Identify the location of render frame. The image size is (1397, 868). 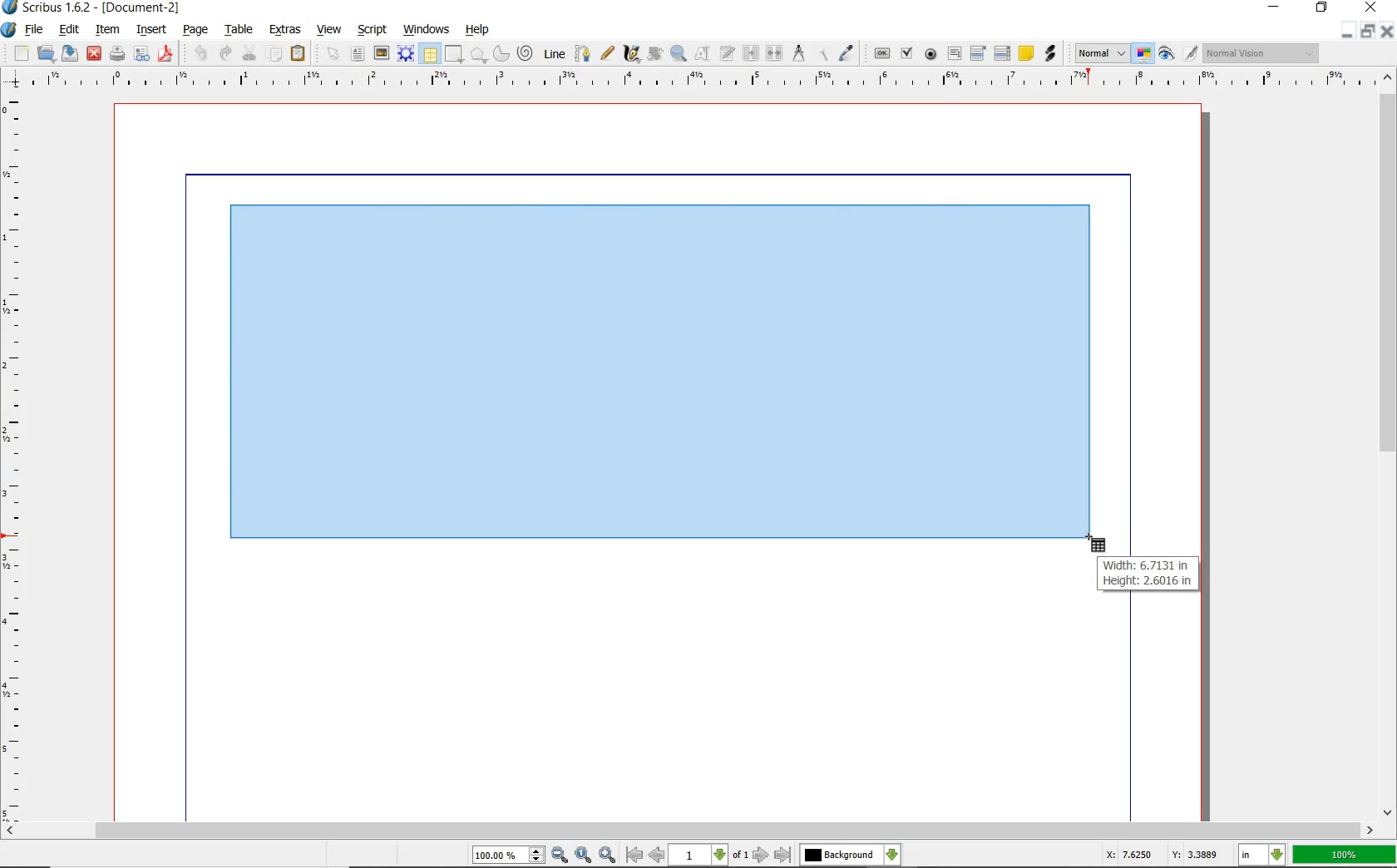
(406, 55).